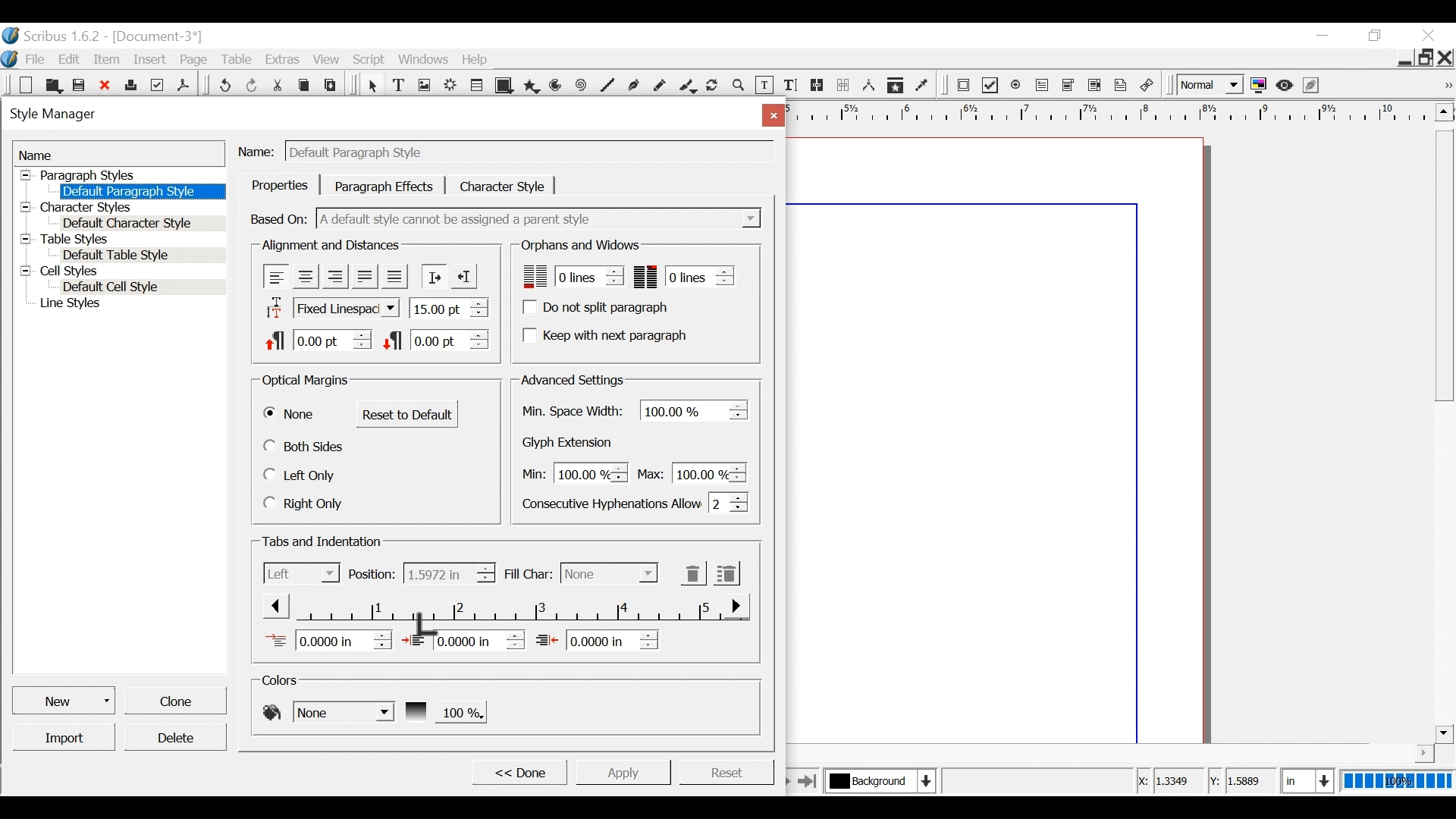  What do you see at coordinates (121, 240) in the screenshot?
I see `Table Styles` at bounding box center [121, 240].